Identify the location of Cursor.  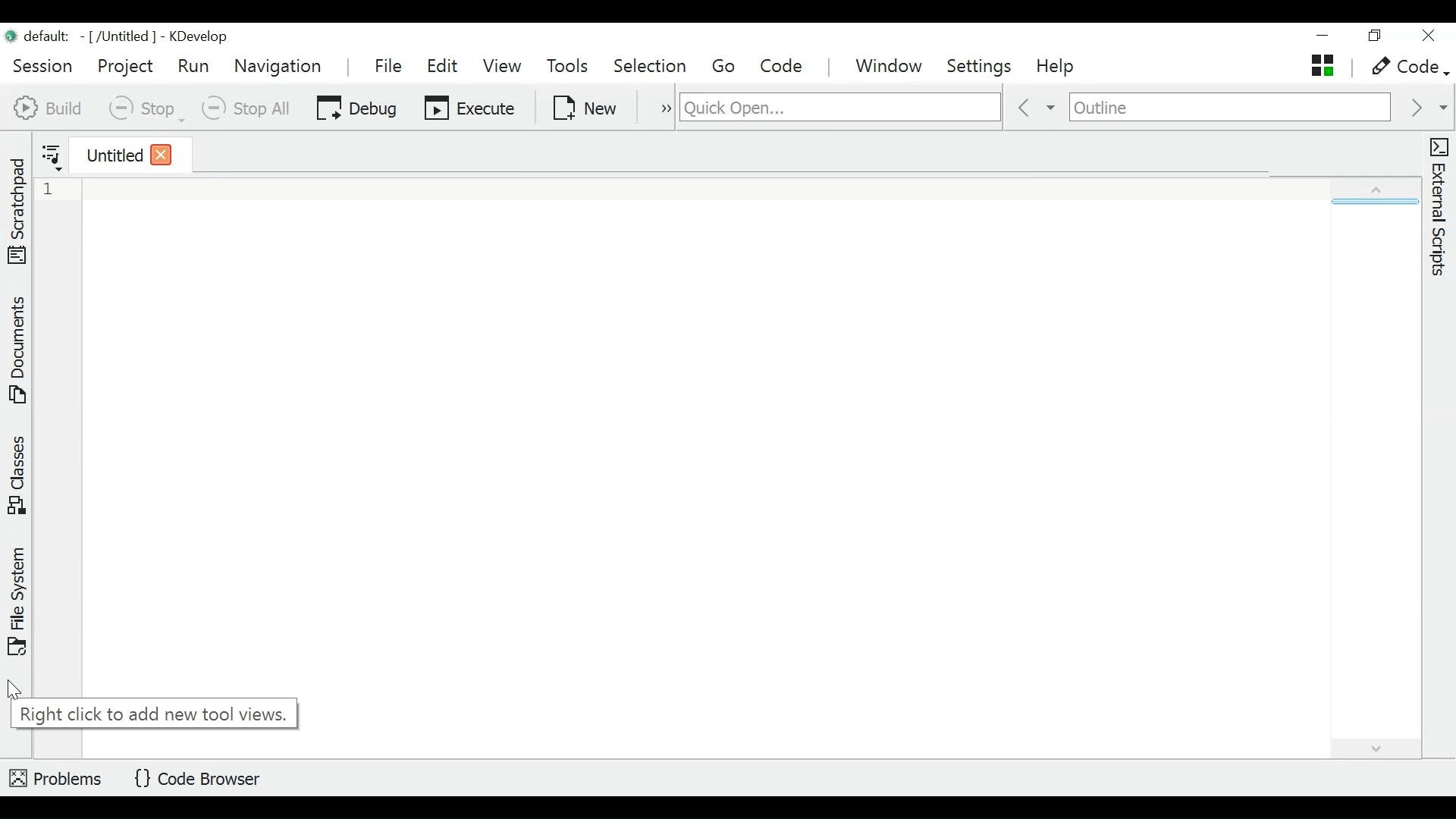
(15, 692).